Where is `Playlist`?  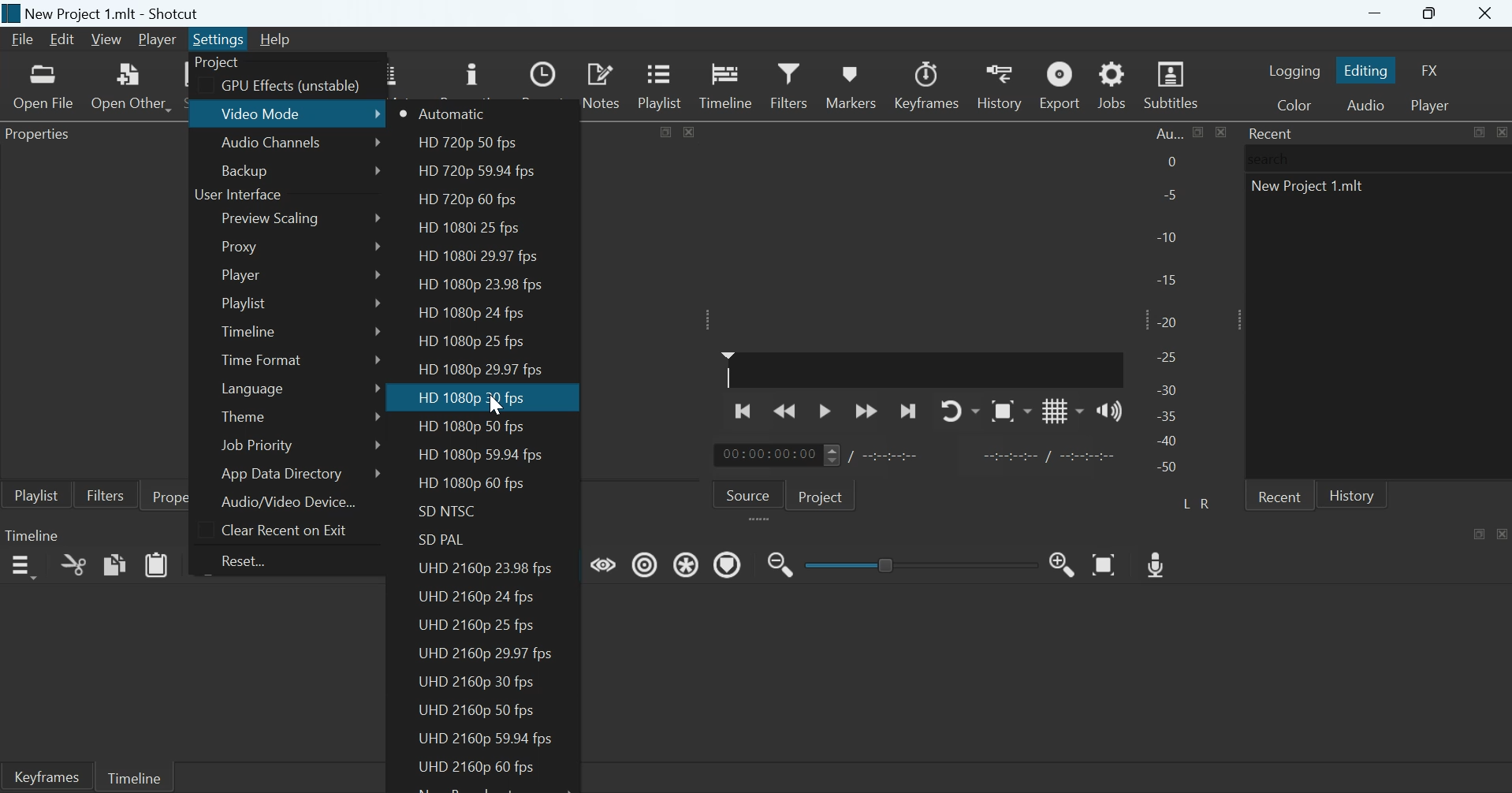 Playlist is located at coordinates (244, 303).